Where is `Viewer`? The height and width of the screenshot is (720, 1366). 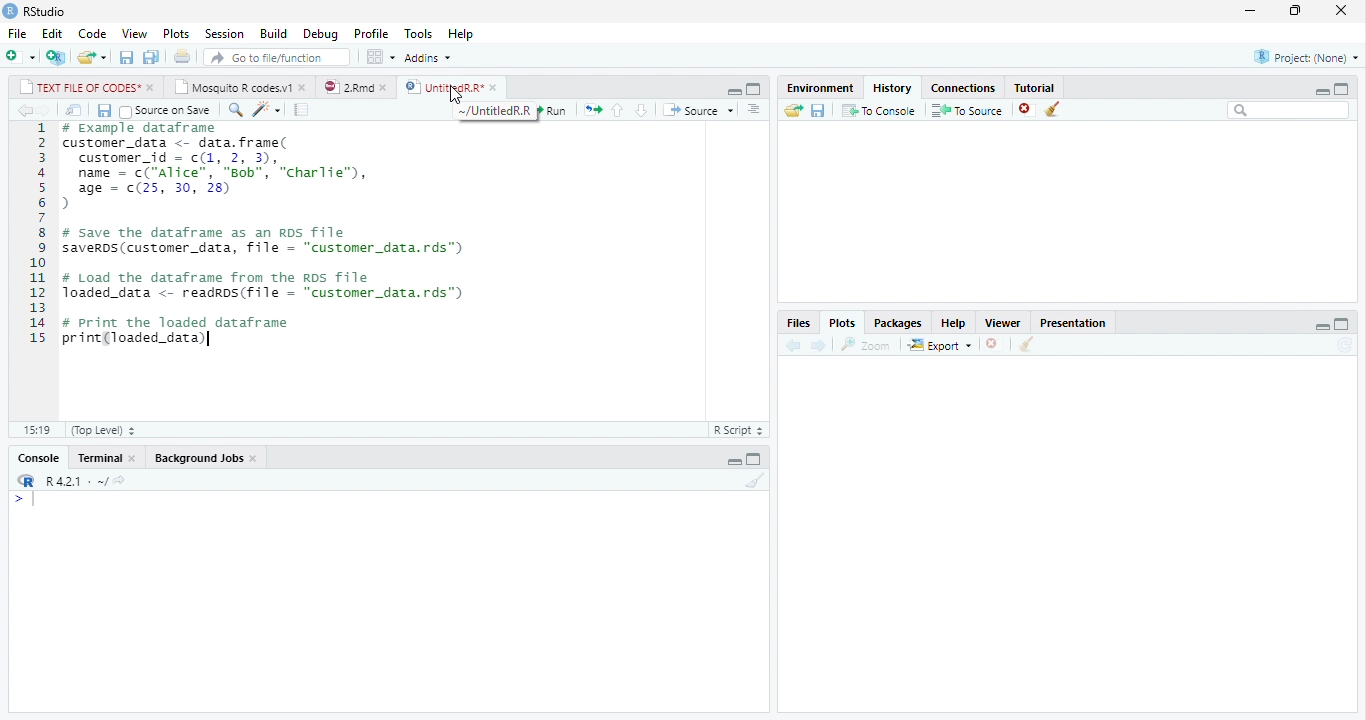 Viewer is located at coordinates (1002, 322).